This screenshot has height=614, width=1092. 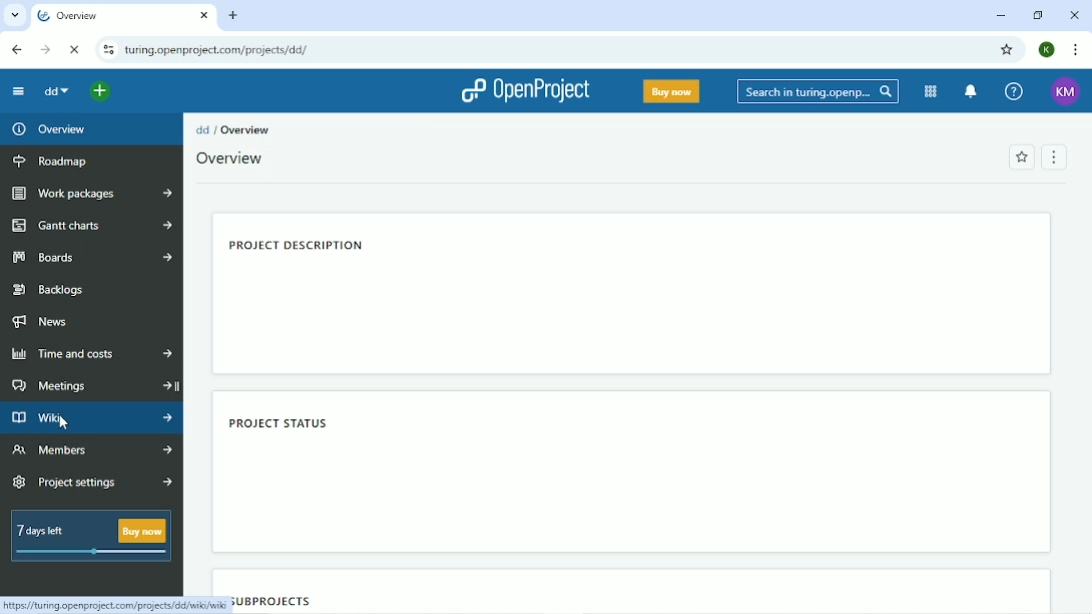 I want to click on https:// turing openproject com/prorects/dd/wilko/wik, so click(x=112, y=603).